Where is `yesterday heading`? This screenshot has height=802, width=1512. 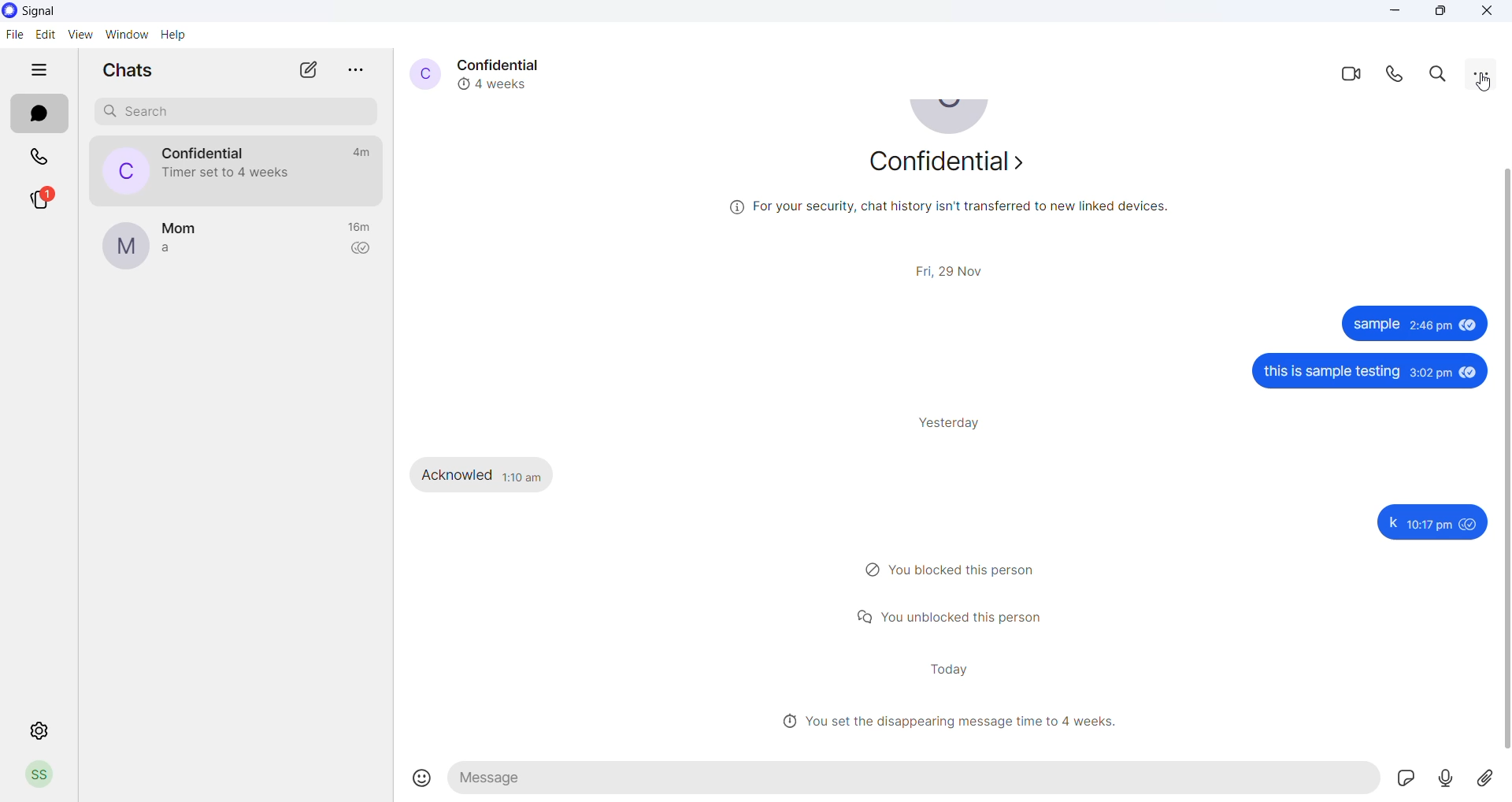
yesterday heading is located at coordinates (958, 422).